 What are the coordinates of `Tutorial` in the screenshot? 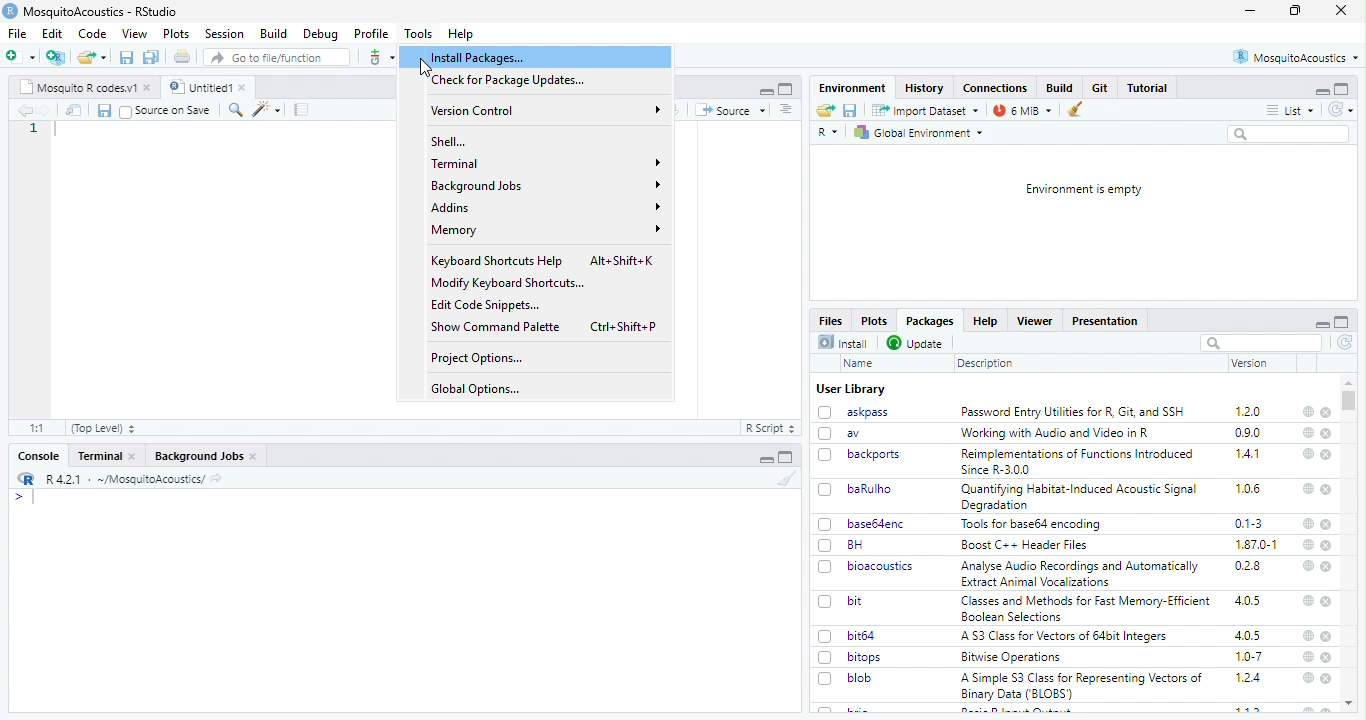 It's located at (1148, 88).